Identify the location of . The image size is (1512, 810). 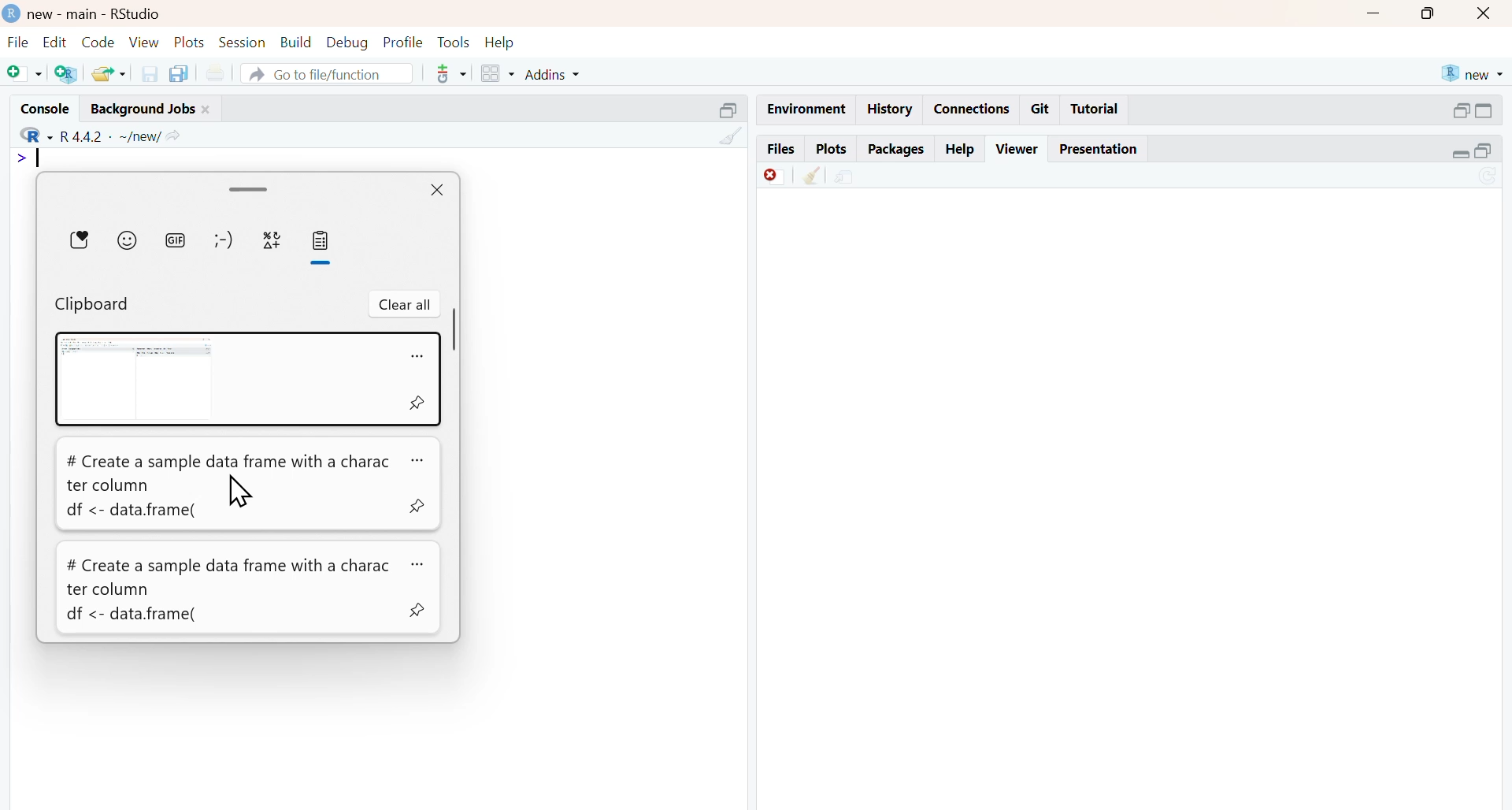
(730, 111).